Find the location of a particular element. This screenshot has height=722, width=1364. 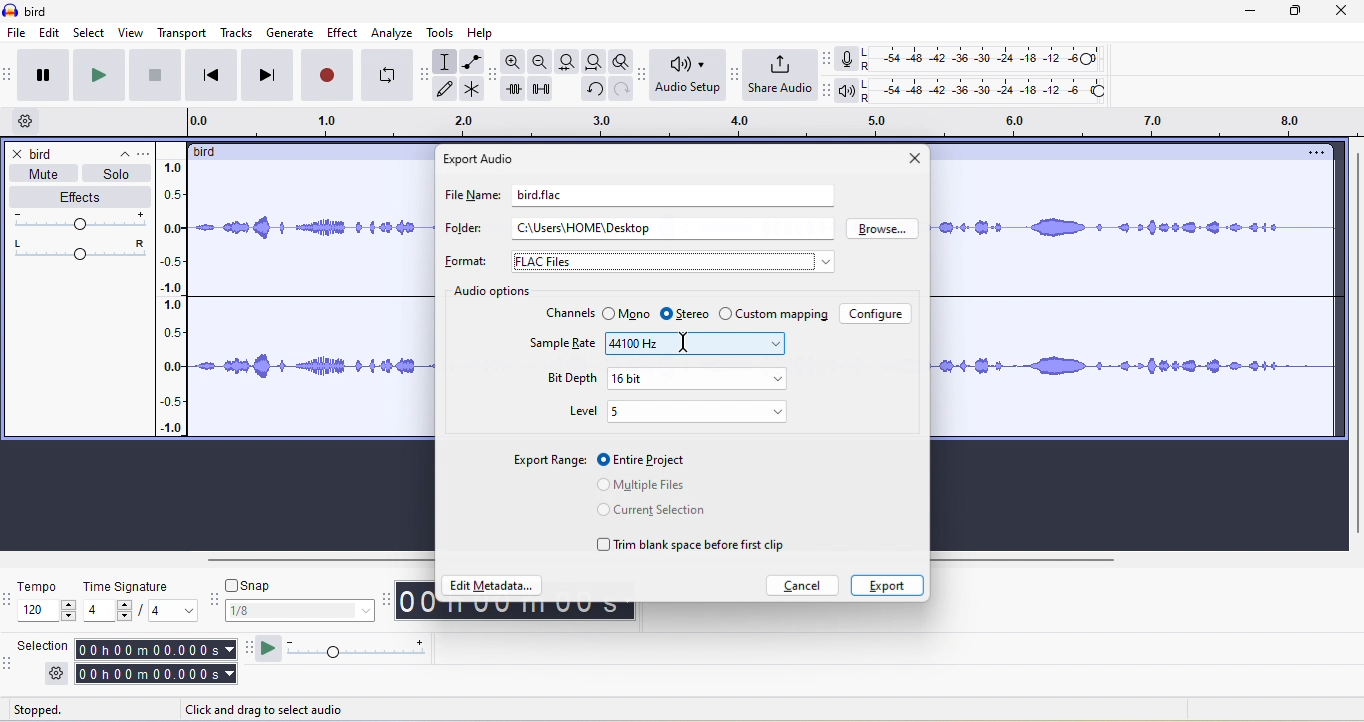

zoom in is located at coordinates (515, 64).